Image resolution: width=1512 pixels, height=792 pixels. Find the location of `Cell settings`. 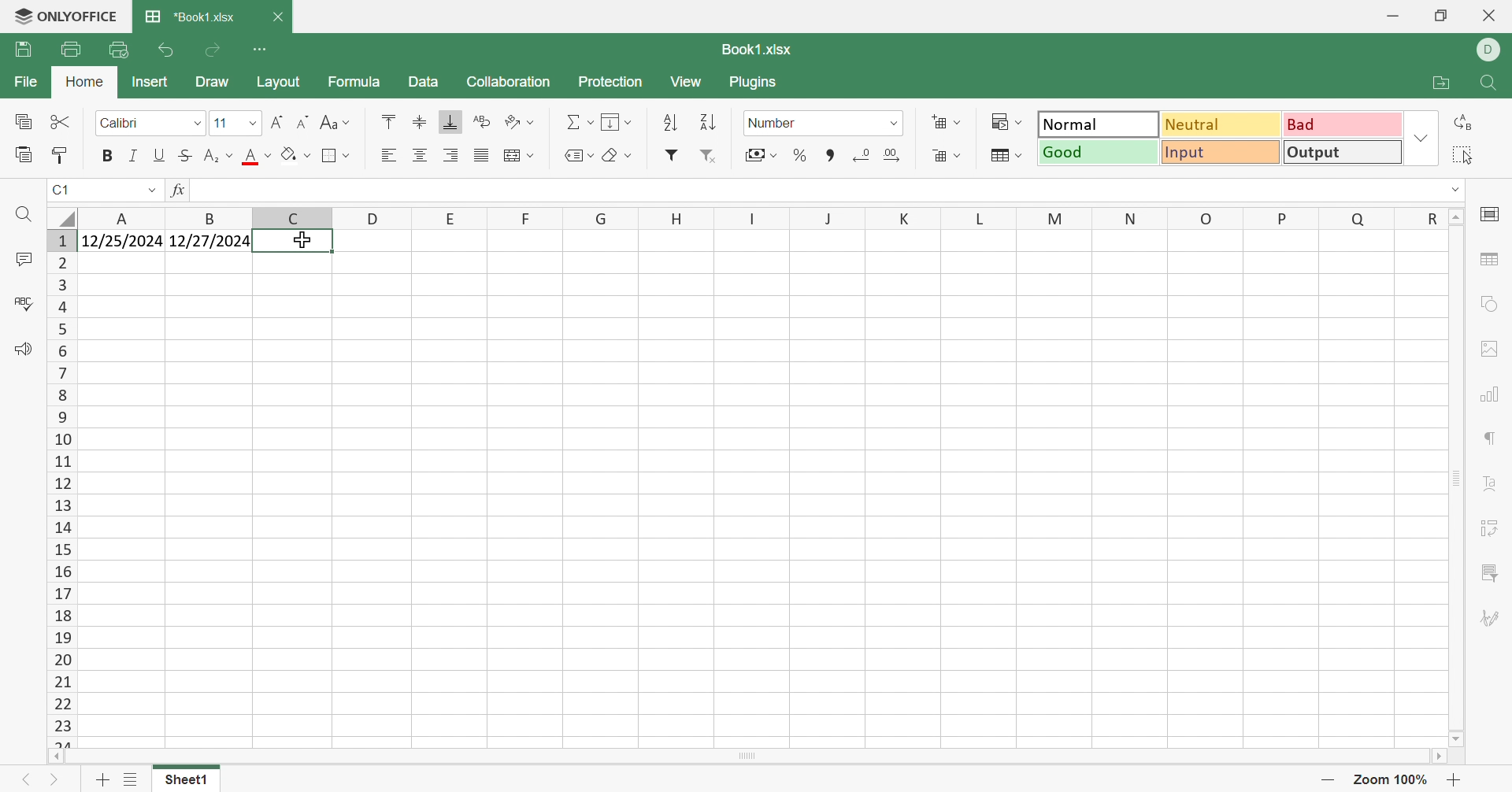

Cell settings is located at coordinates (1492, 218).